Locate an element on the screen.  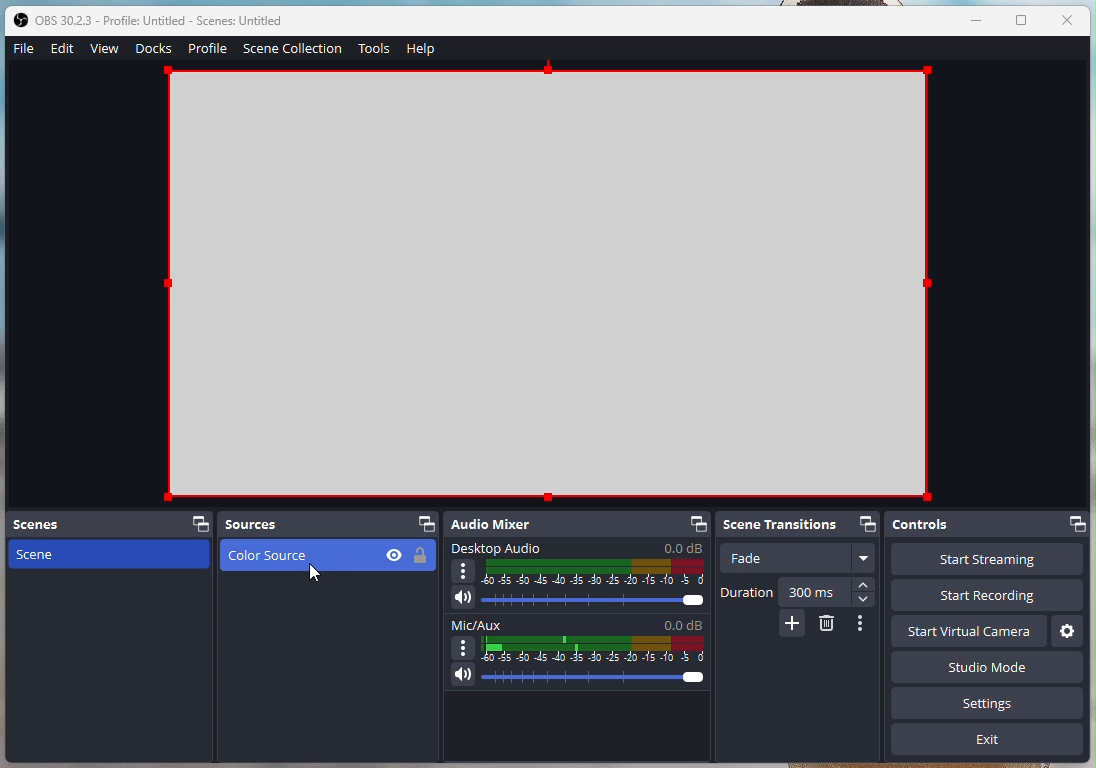
Duration is located at coordinates (798, 592).